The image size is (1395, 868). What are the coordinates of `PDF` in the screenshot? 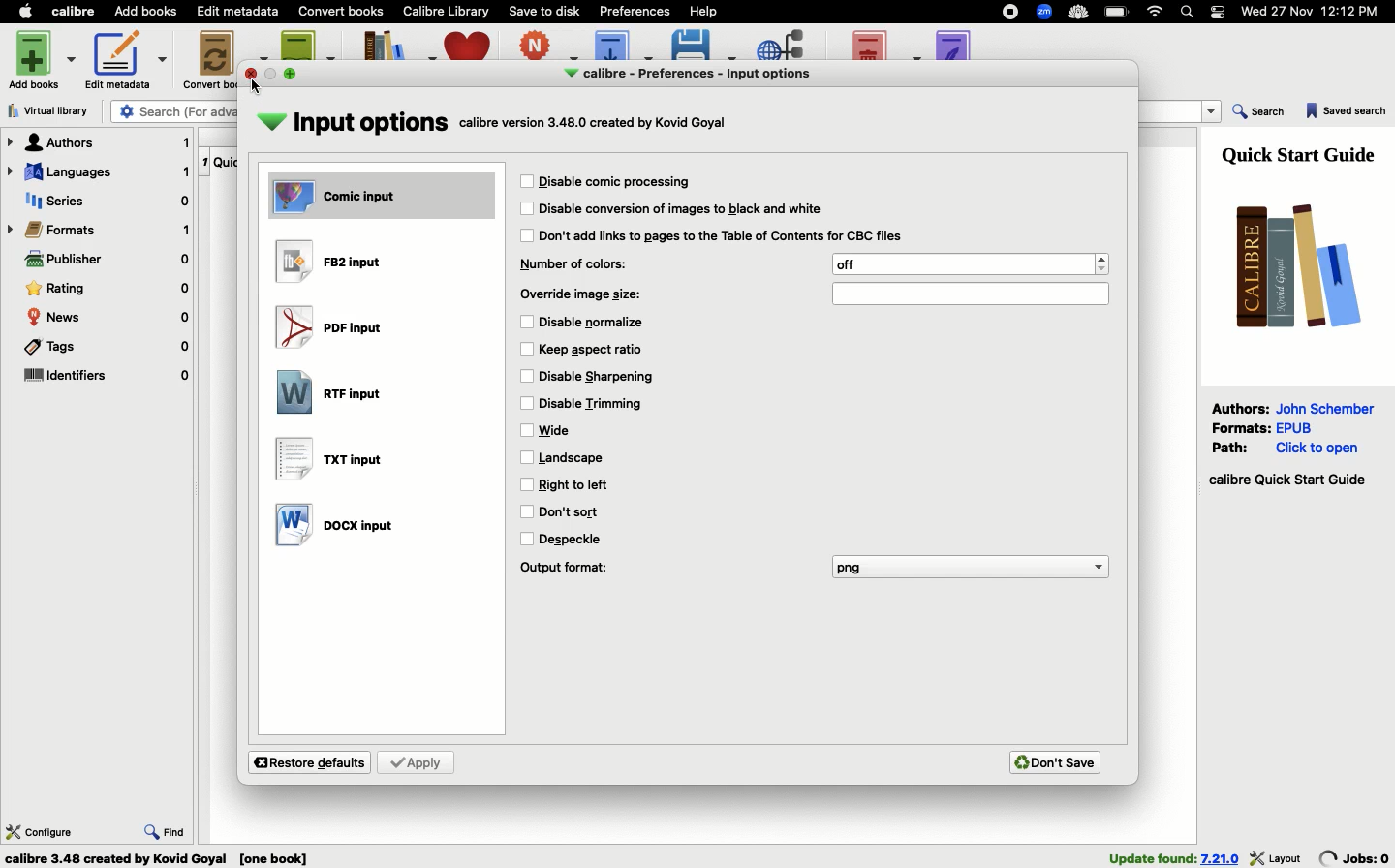 It's located at (335, 329).